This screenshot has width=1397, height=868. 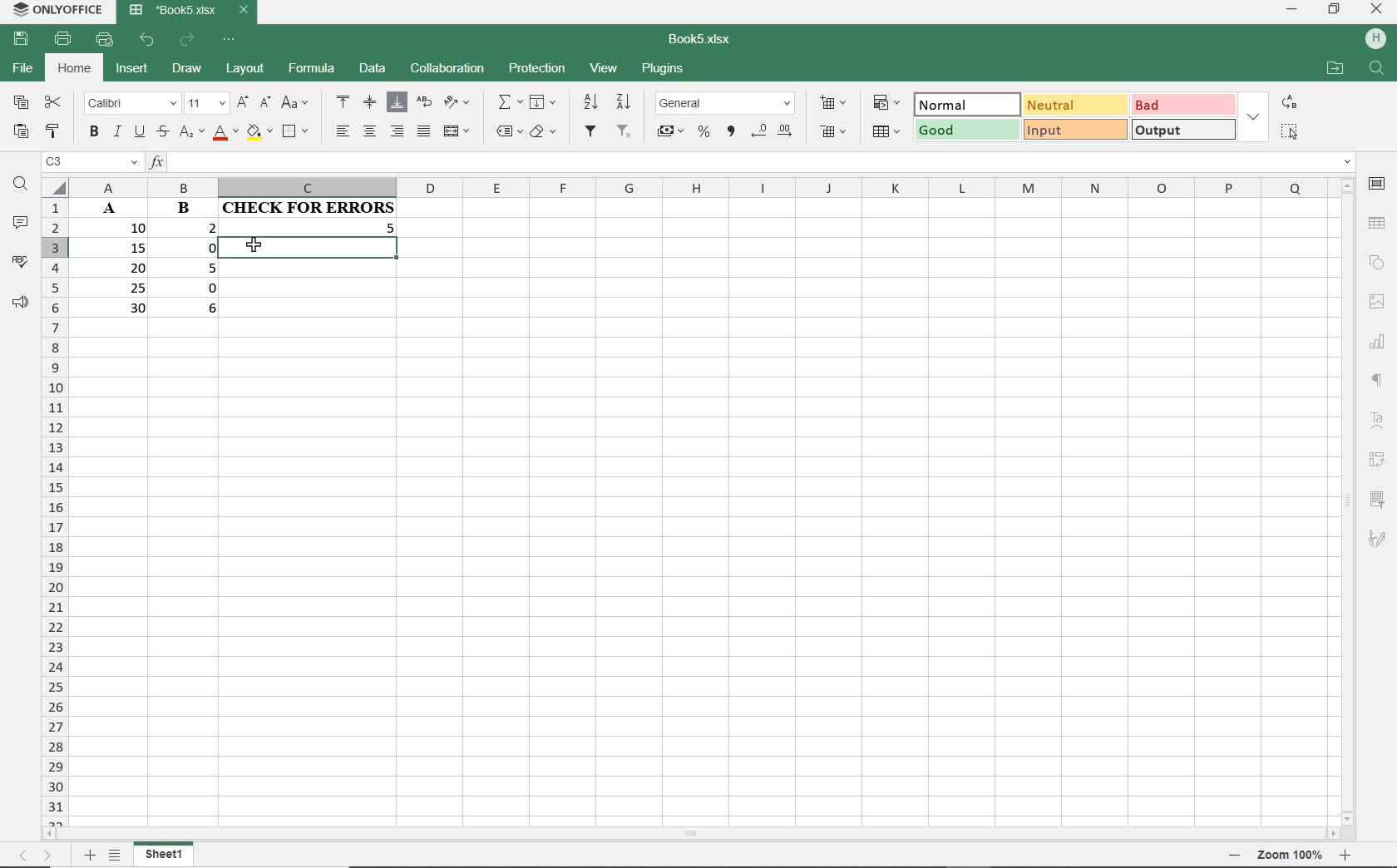 I want to click on , so click(x=1291, y=855).